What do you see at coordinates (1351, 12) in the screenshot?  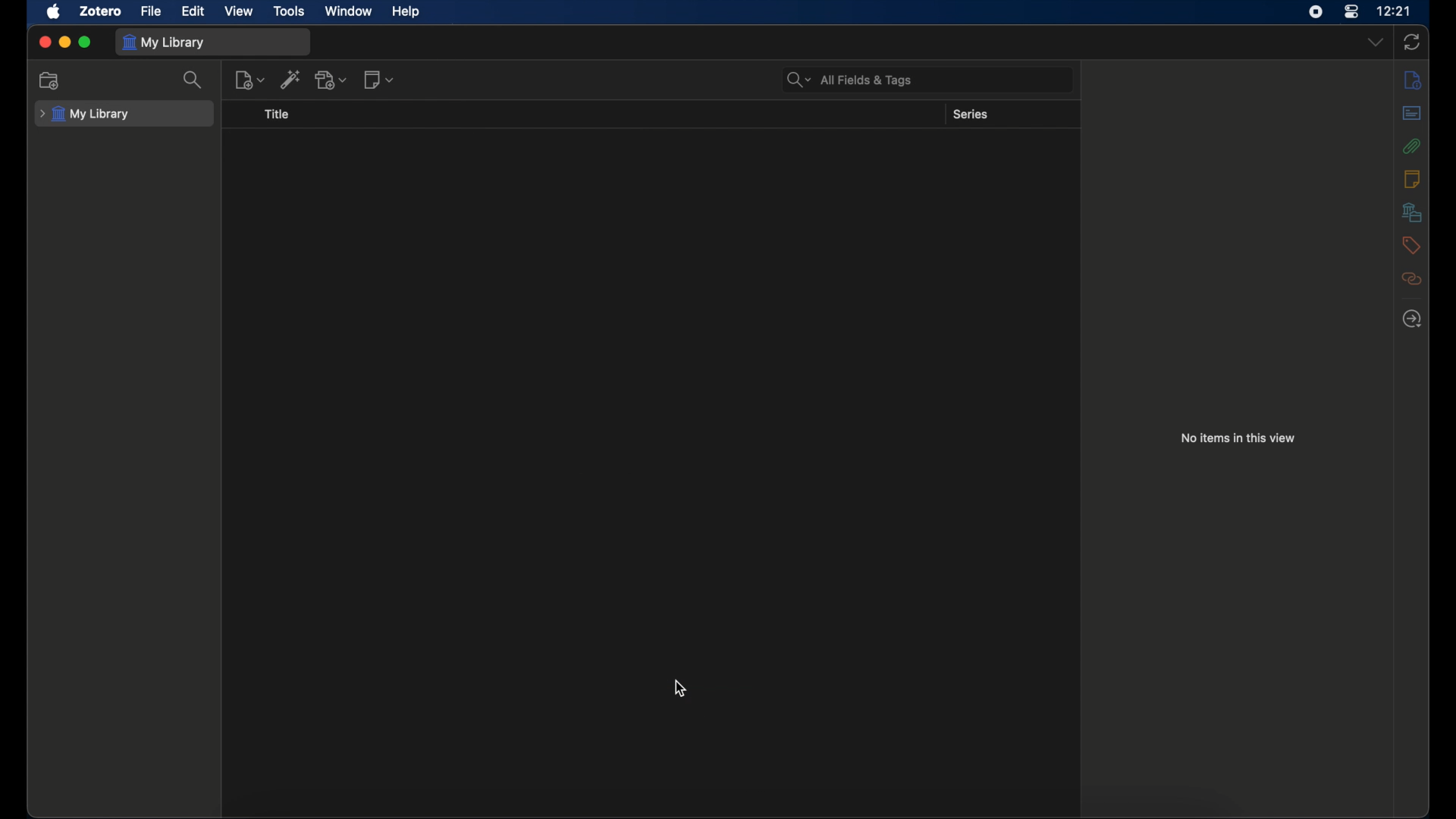 I see `control center` at bounding box center [1351, 12].